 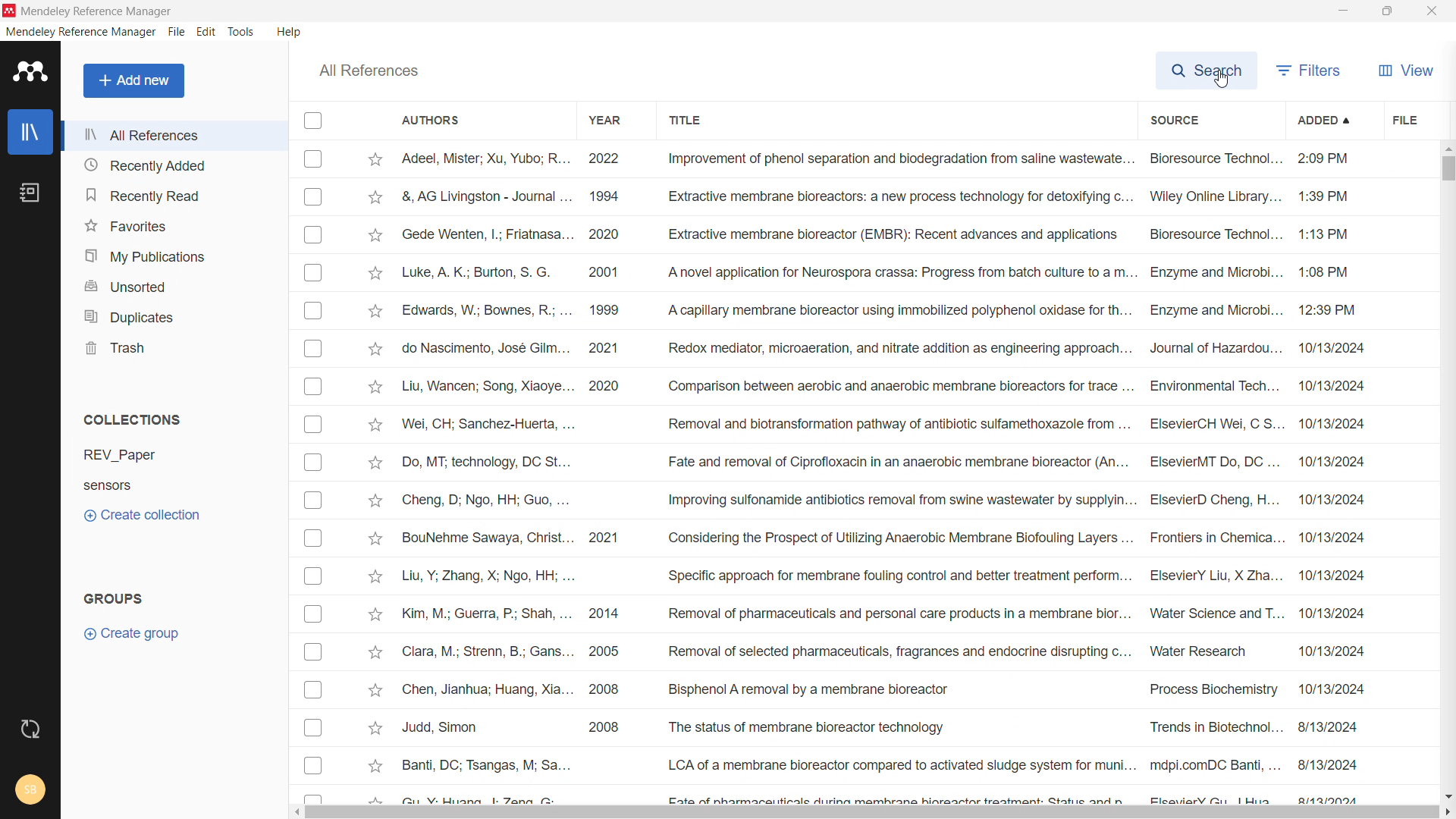 What do you see at coordinates (174, 254) in the screenshot?
I see `my publications` at bounding box center [174, 254].